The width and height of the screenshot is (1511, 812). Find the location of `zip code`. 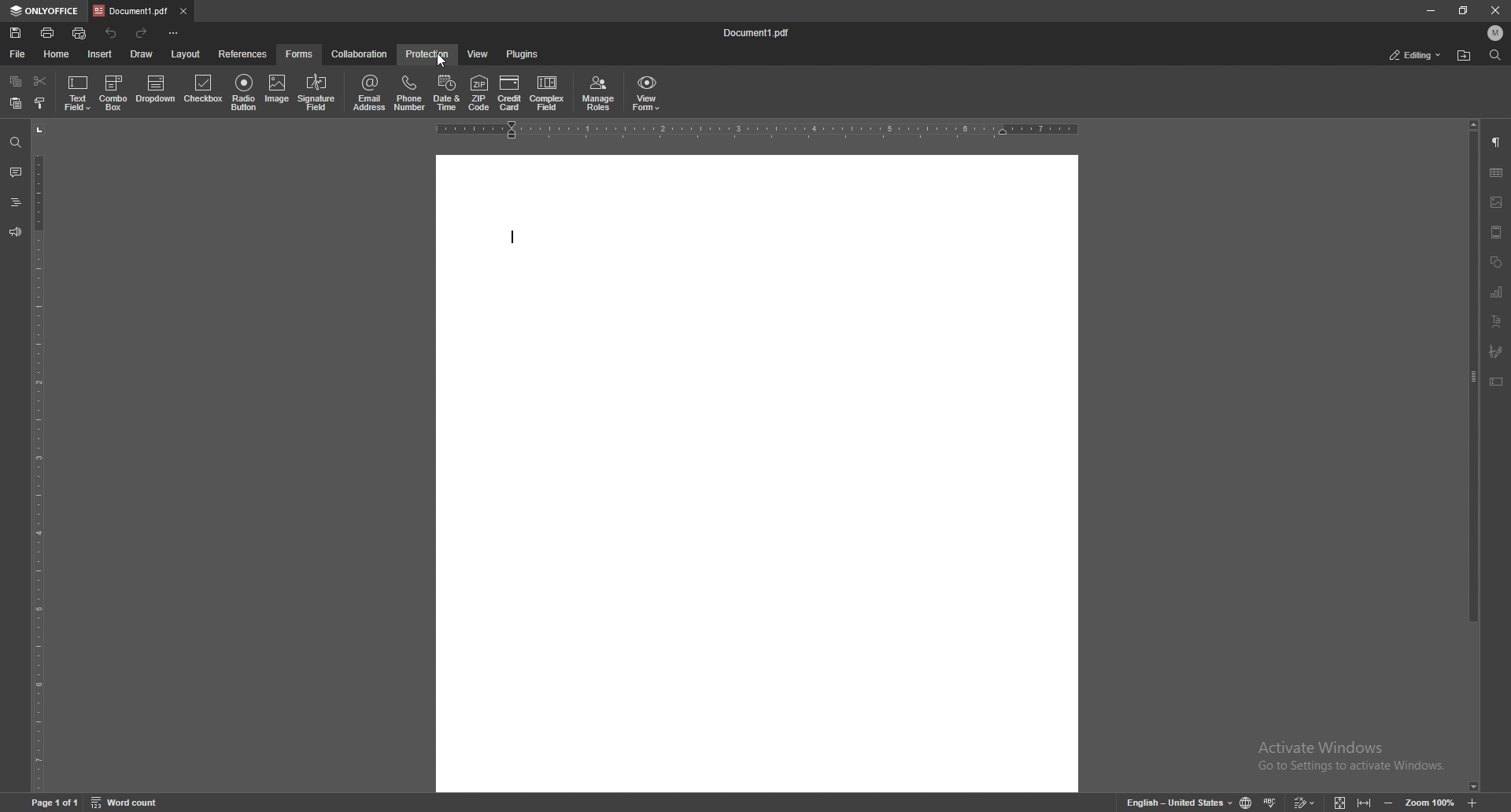

zip code is located at coordinates (481, 93).